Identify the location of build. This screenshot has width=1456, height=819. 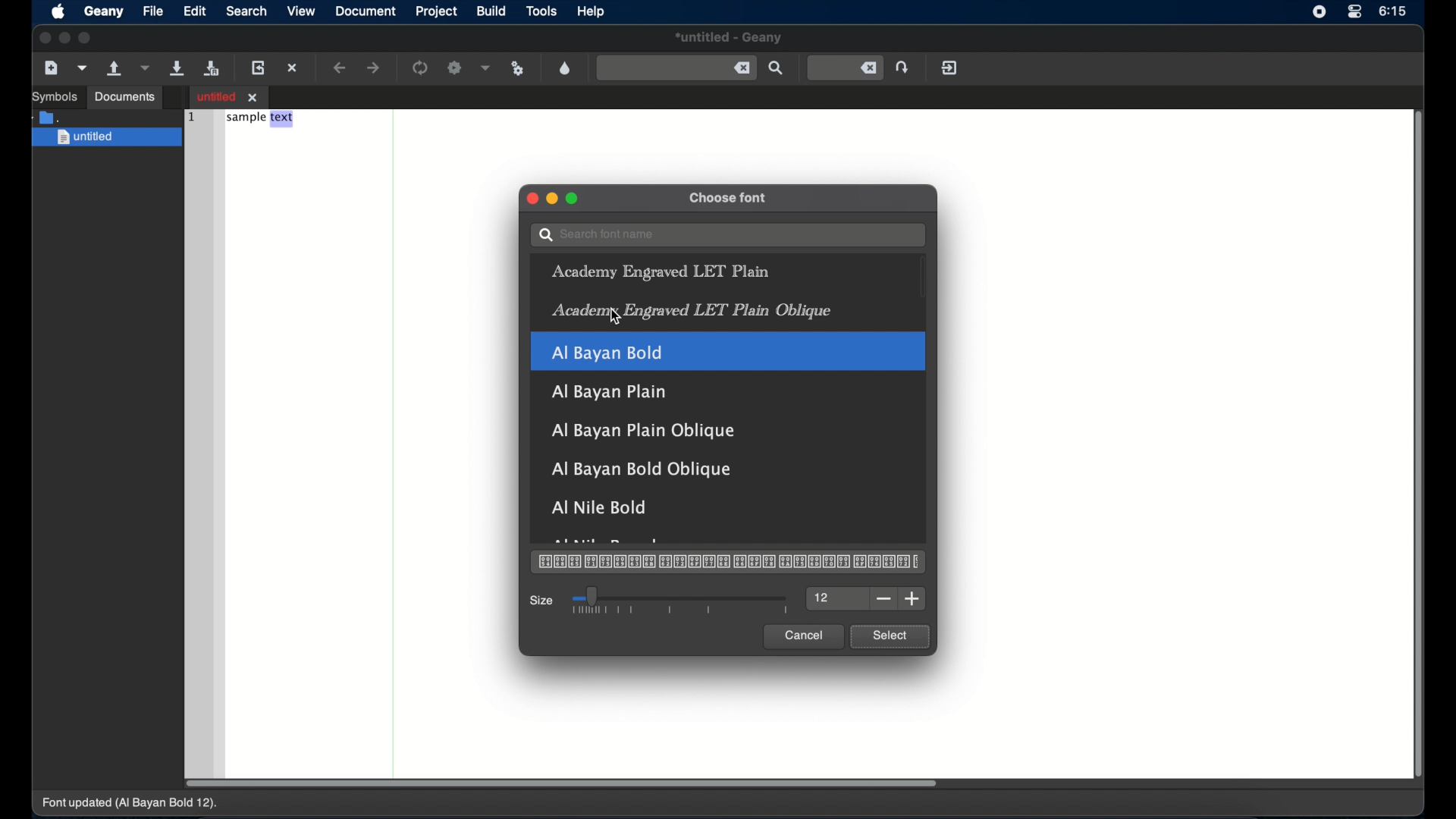
(491, 11).